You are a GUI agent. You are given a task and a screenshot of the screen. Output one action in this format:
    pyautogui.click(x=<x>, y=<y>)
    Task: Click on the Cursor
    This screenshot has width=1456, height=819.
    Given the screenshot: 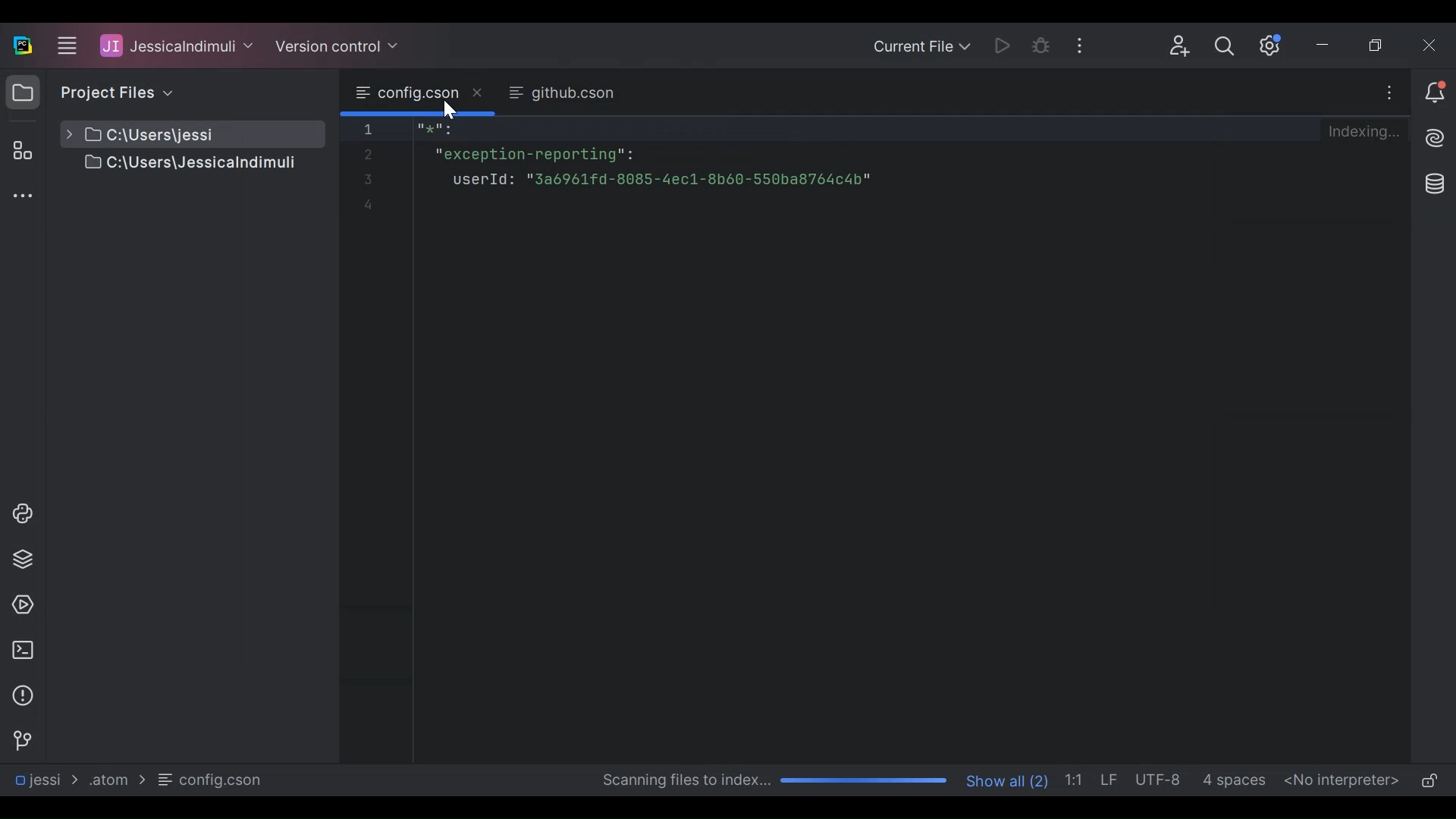 What is the action you would take?
    pyautogui.click(x=450, y=108)
    